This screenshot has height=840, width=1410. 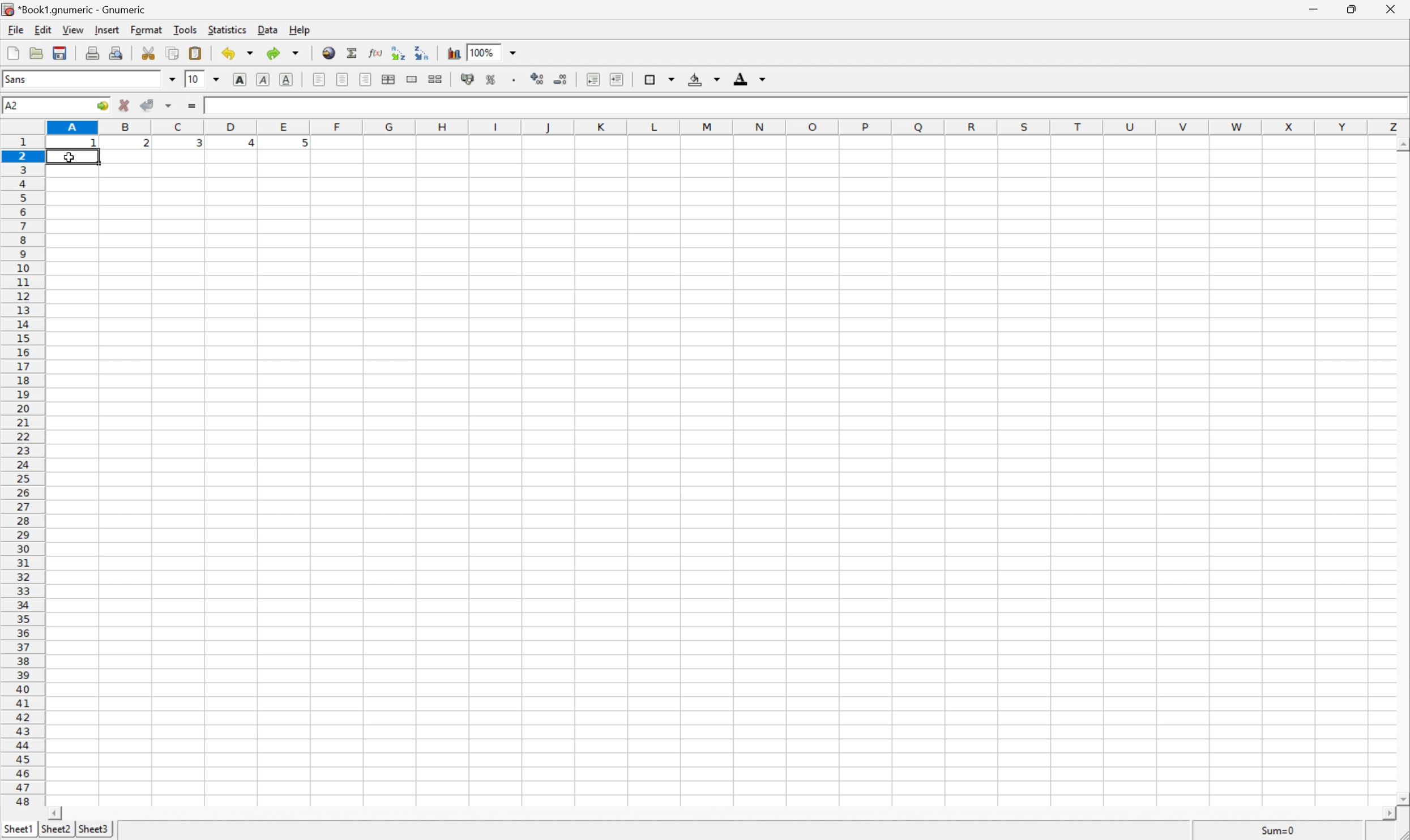 I want to click on Sort the selected region in ascending order based on the first column selected, so click(x=399, y=51).